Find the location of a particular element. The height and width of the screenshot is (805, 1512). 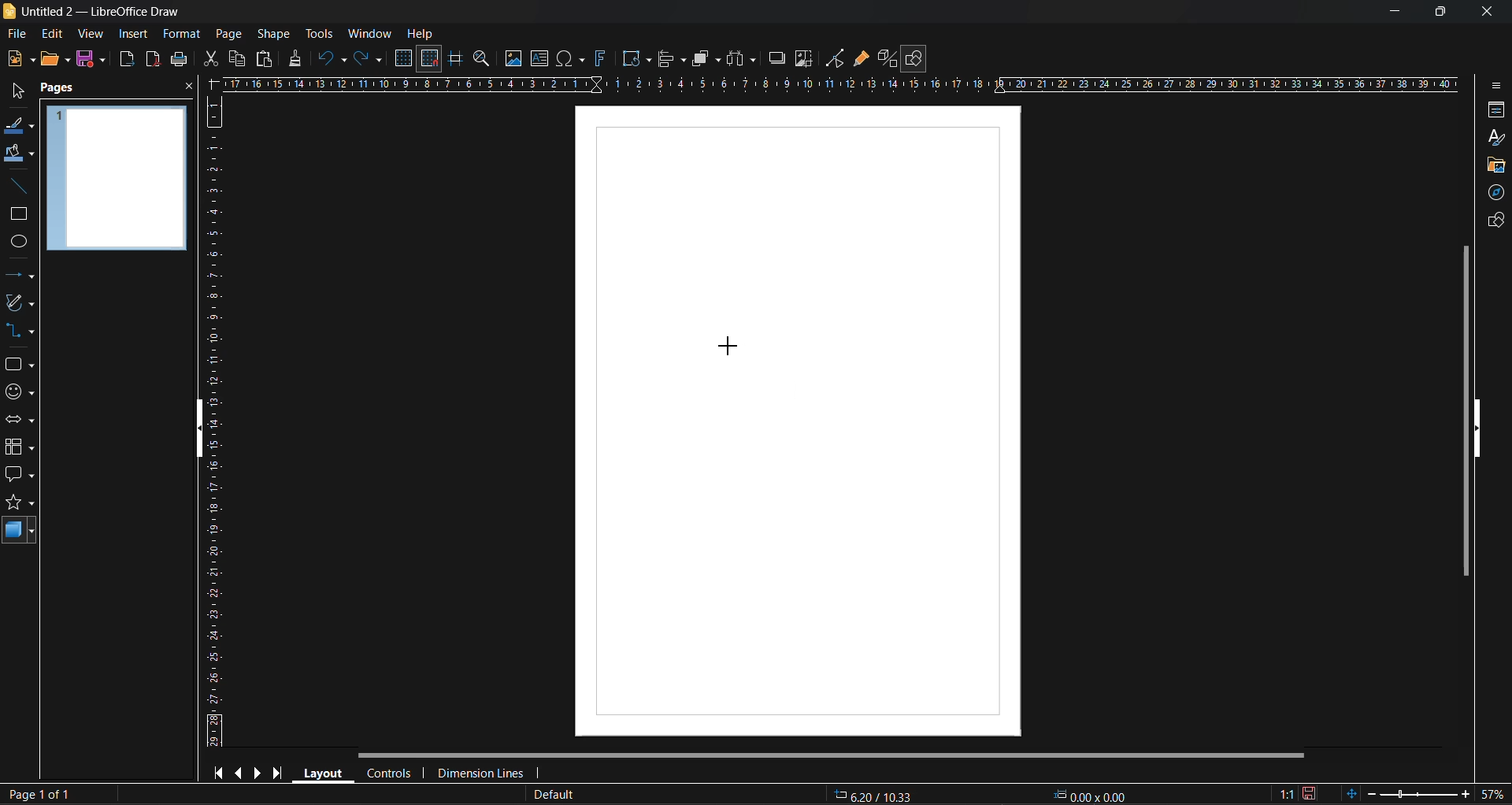

window is located at coordinates (369, 33).